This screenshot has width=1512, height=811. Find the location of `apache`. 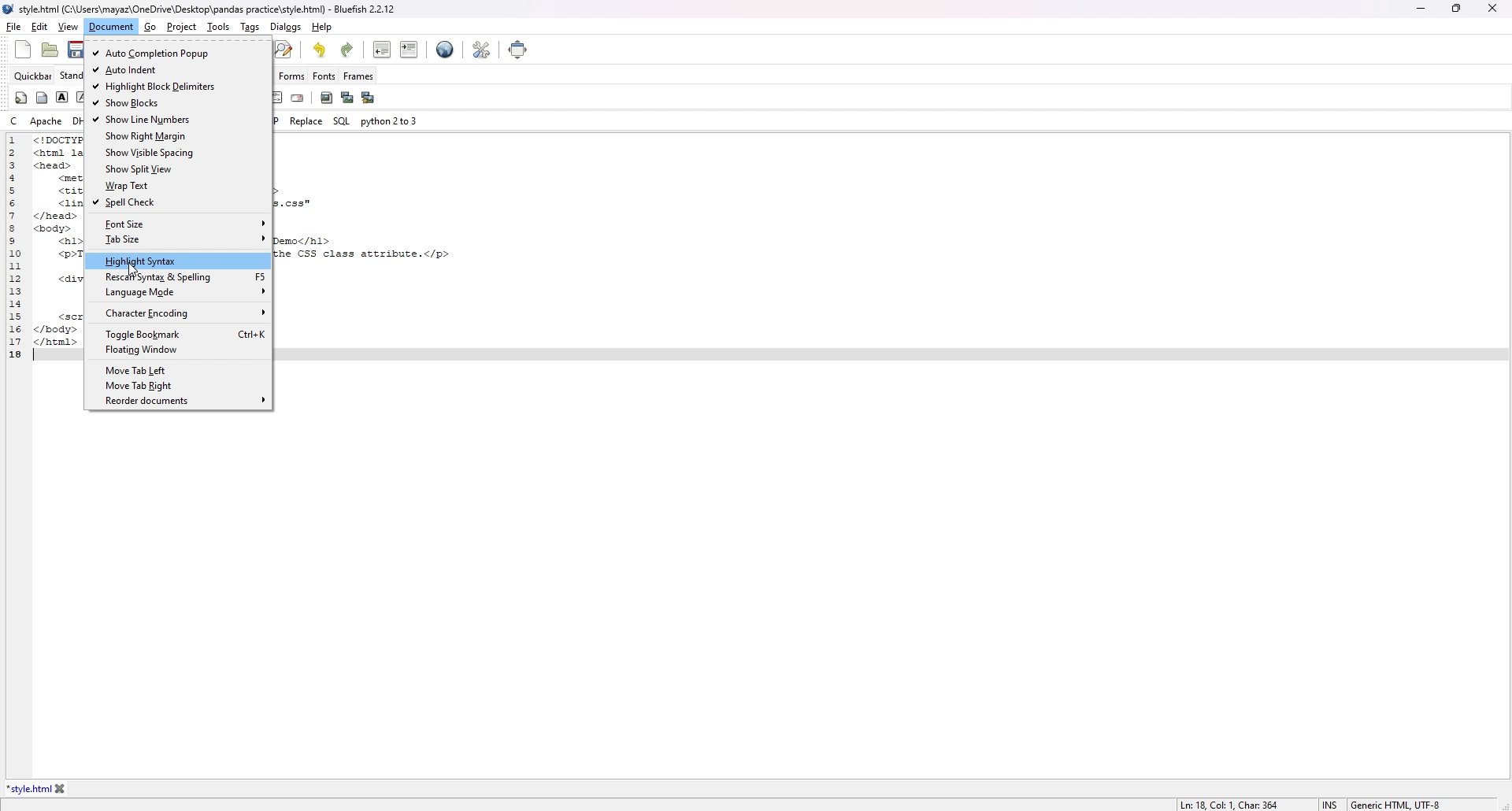

apache is located at coordinates (47, 120).